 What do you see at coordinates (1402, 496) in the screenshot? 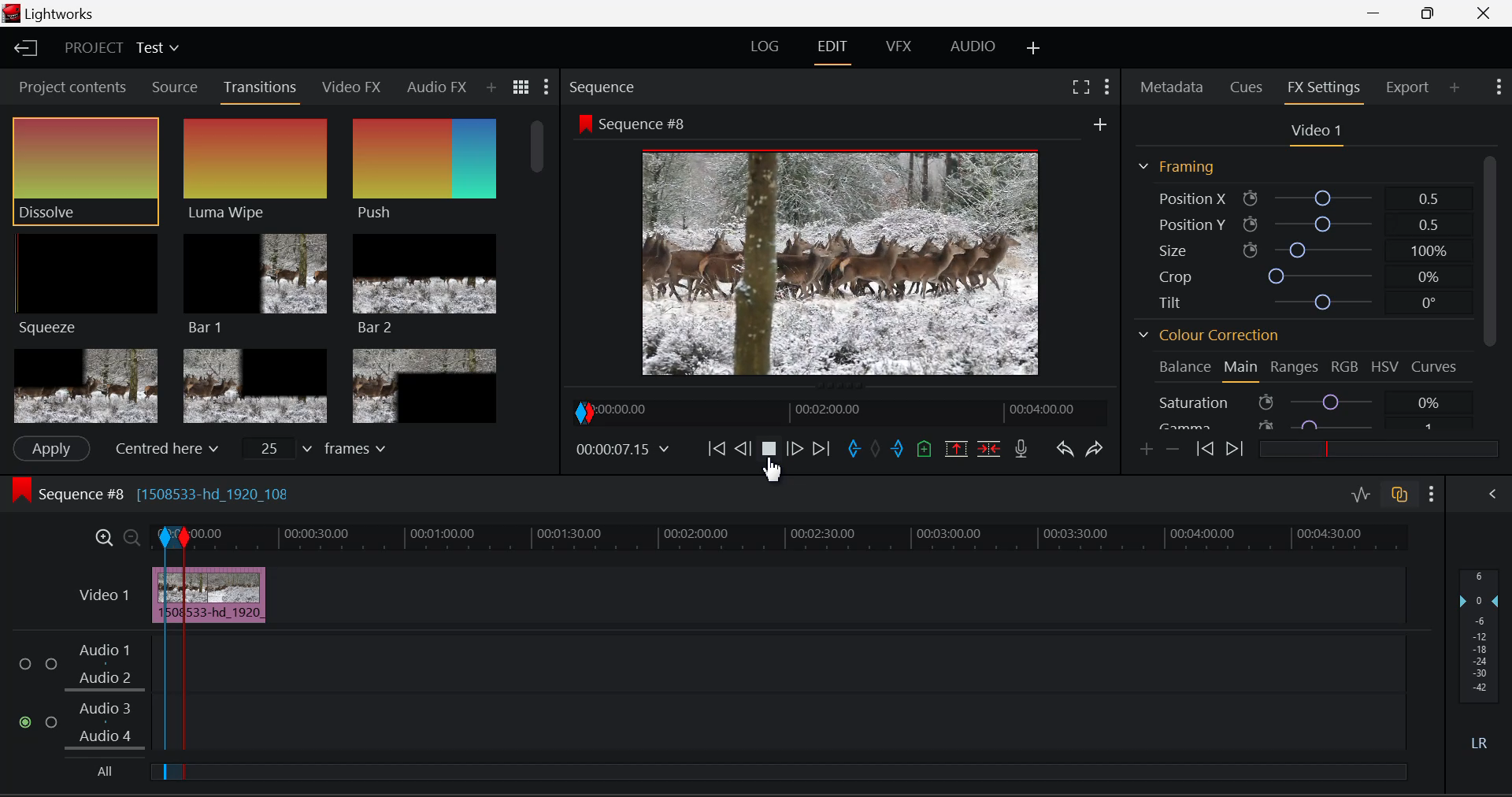
I see `Toggle Audio Track Sync` at bounding box center [1402, 496].